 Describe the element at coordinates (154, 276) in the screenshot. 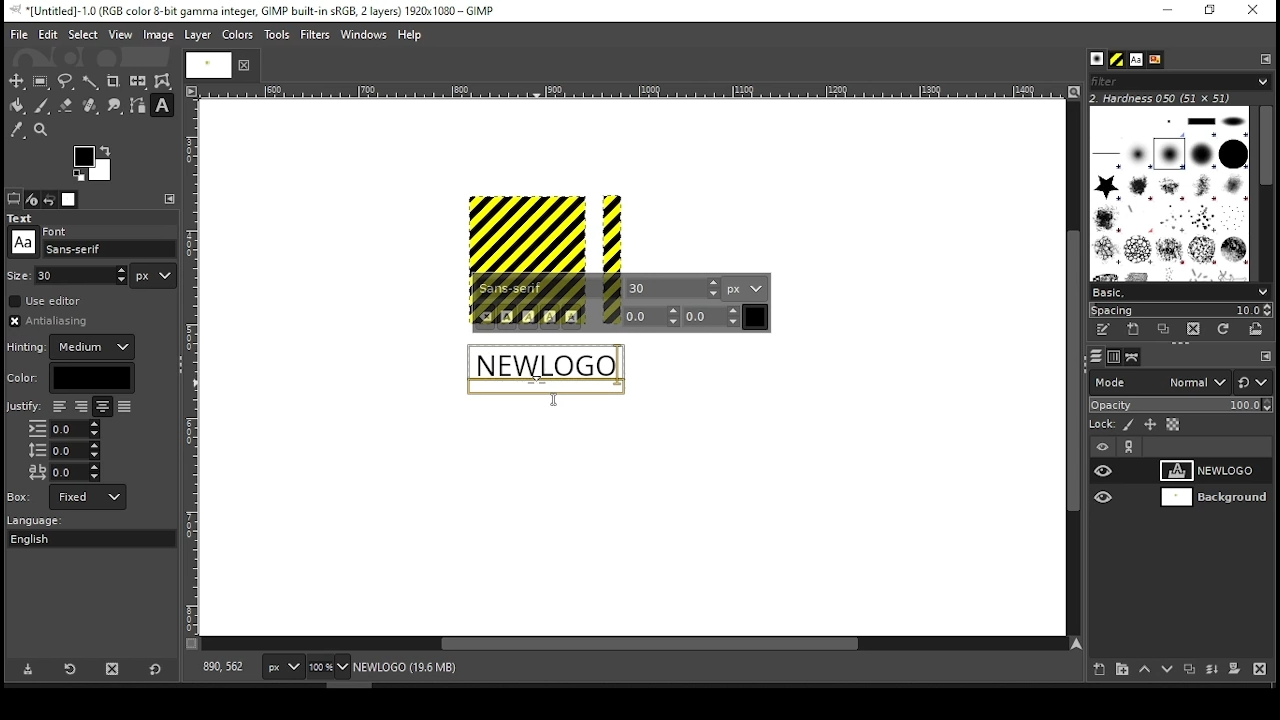

I see `units` at that location.